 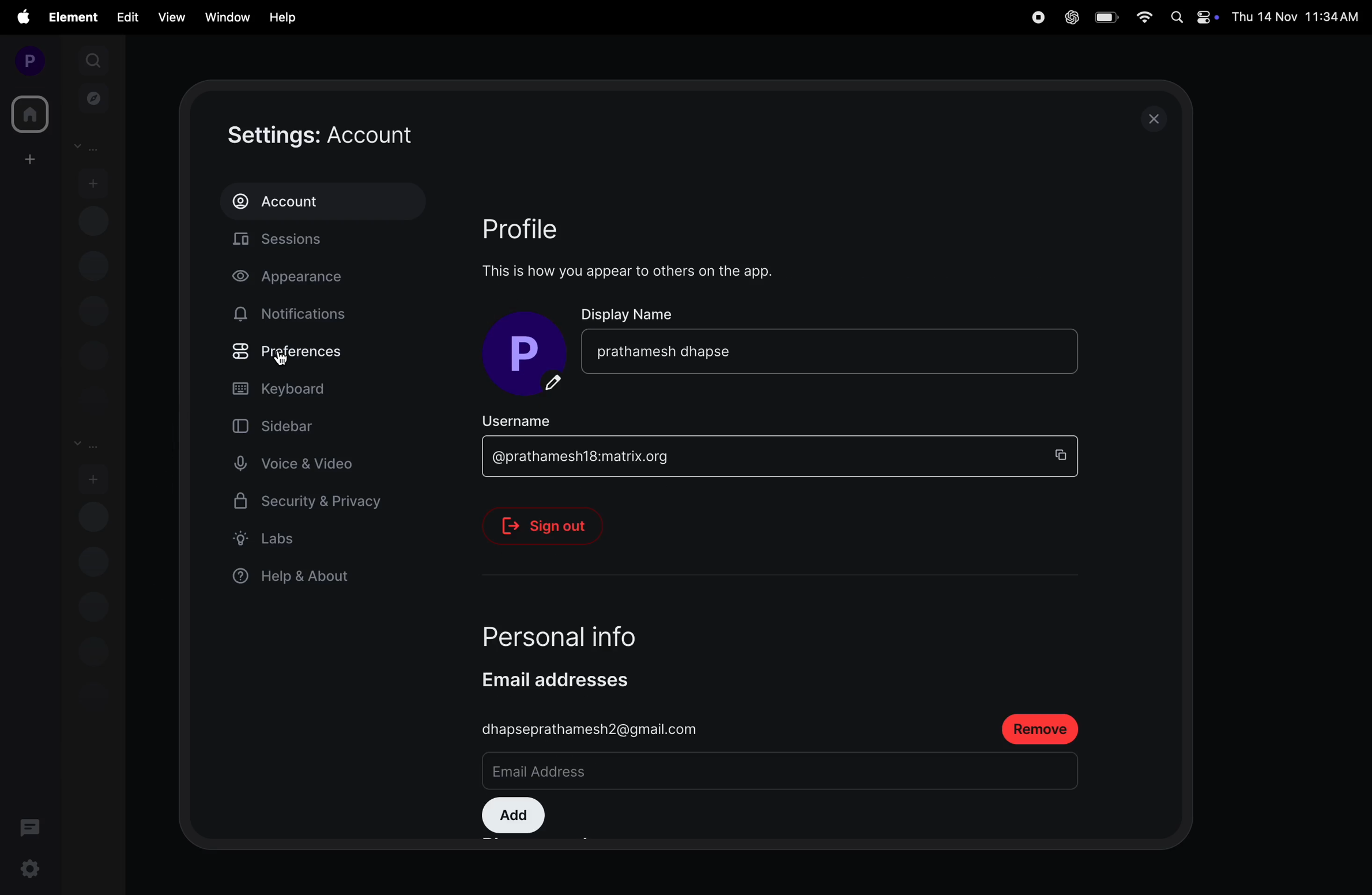 I want to click on remove, so click(x=1042, y=728).